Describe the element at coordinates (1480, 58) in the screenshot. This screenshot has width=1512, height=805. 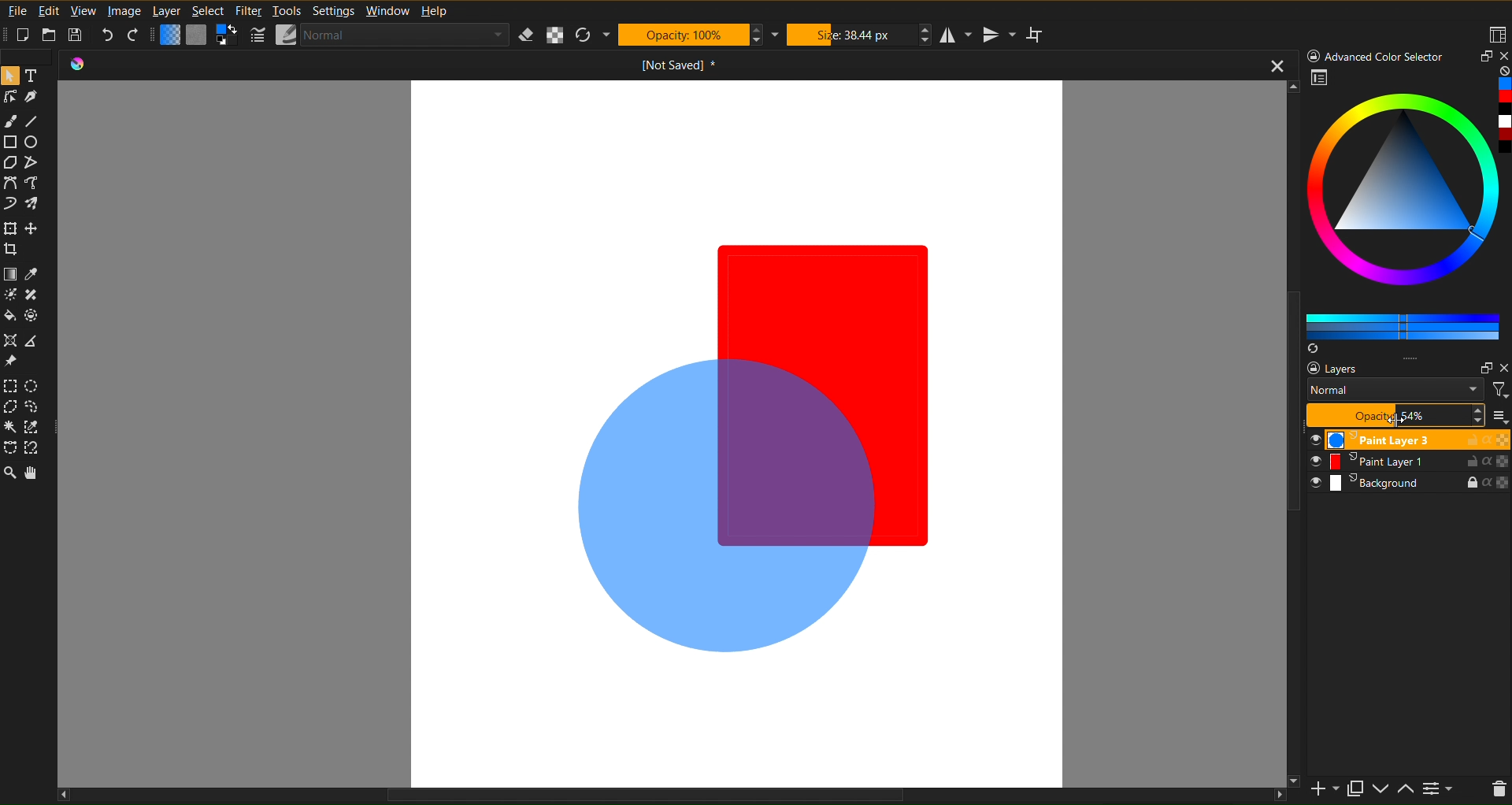
I see `Maximize` at that location.